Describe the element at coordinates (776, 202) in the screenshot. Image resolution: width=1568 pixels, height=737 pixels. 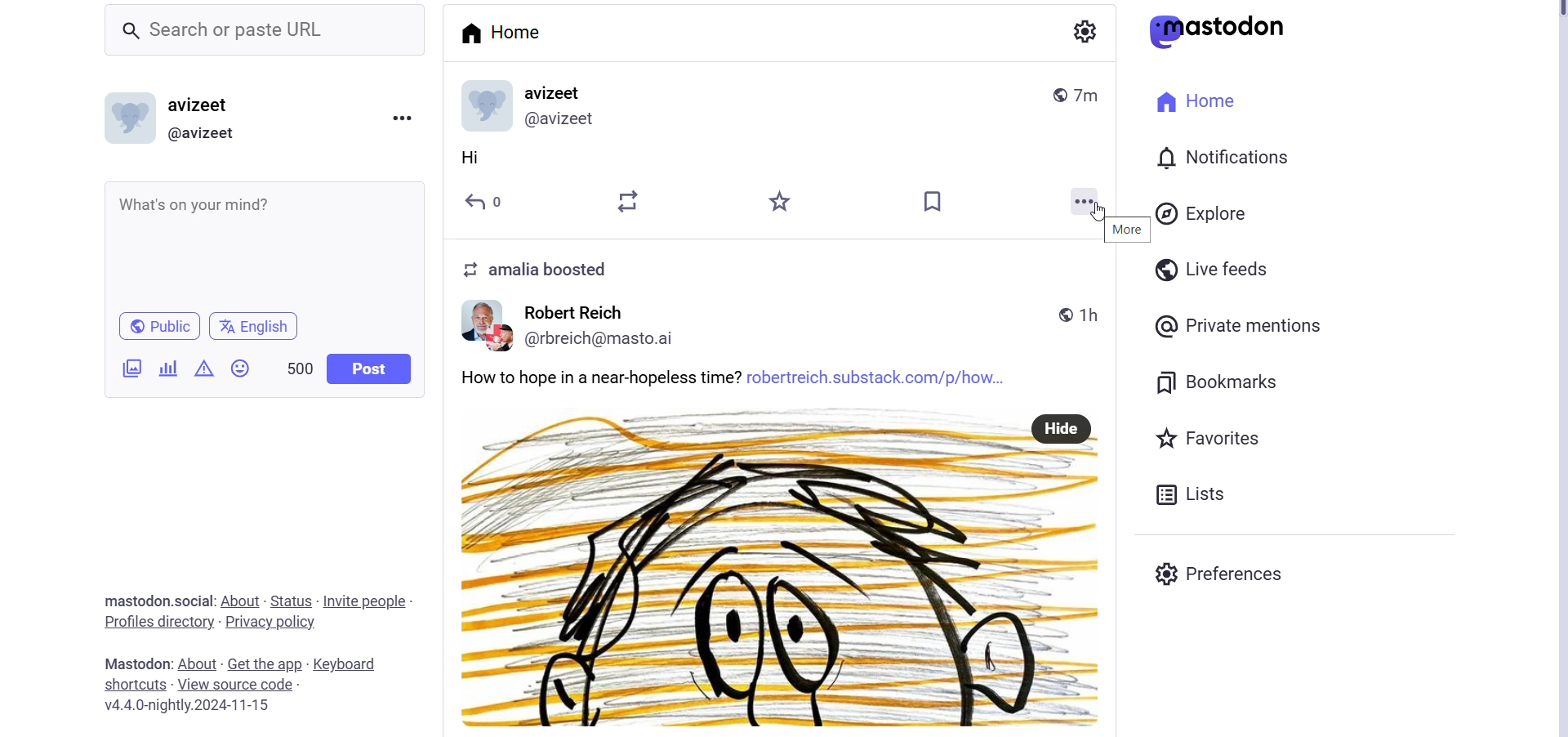
I see `Favorites` at that location.